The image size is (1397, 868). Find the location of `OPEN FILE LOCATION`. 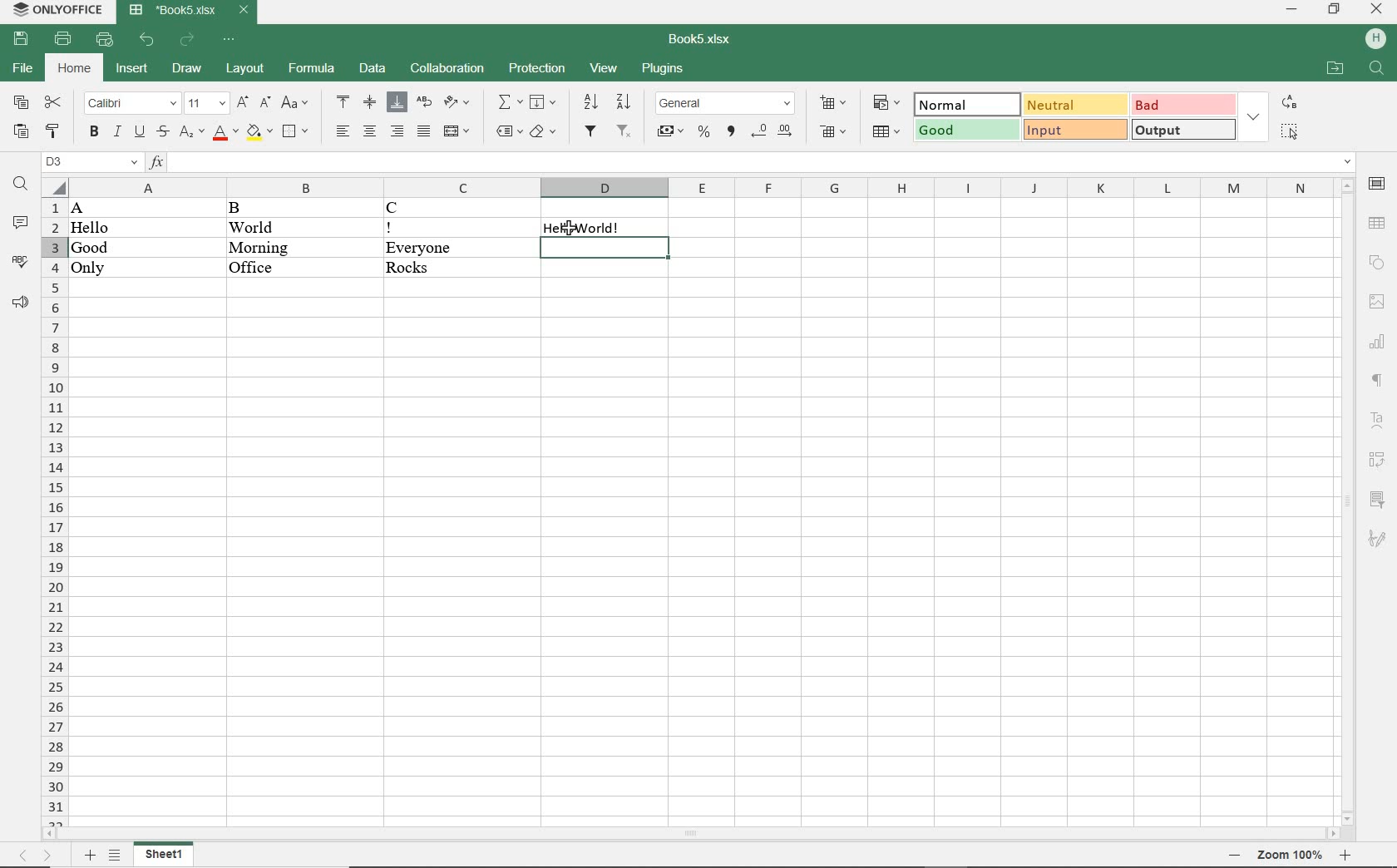

OPEN FILE LOCATION is located at coordinates (1335, 69).